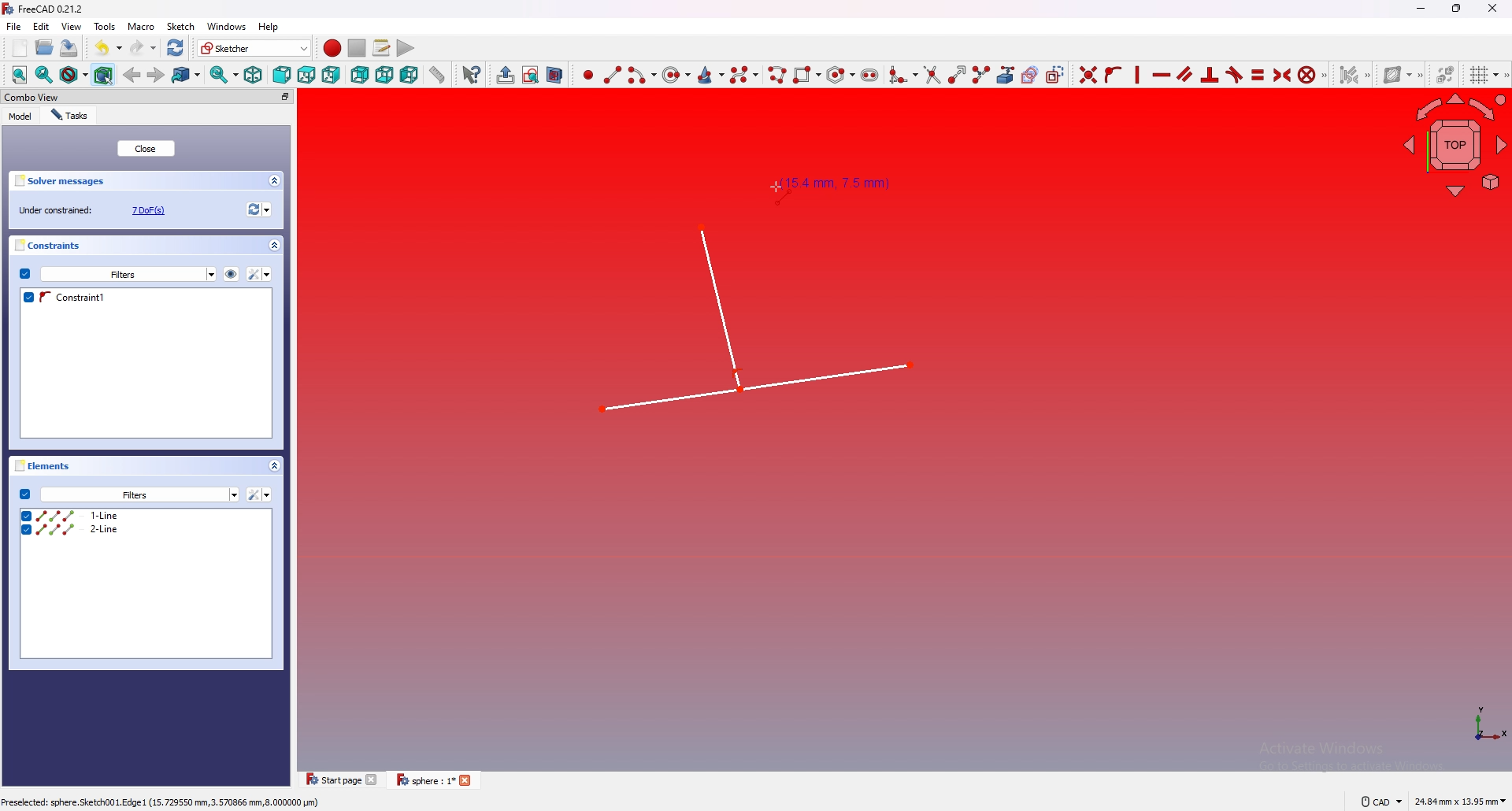  Describe the element at coordinates (140, 495) in the screenshot. I see `Settings` at that location.